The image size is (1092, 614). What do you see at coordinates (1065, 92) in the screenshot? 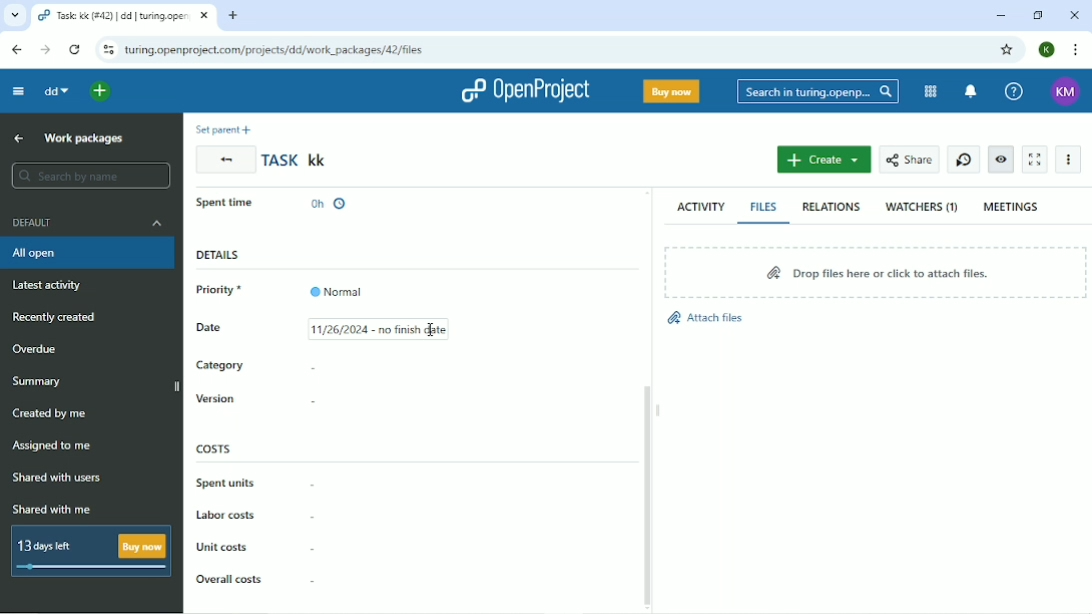
I see `KM` at bounding box center [1065, 92].